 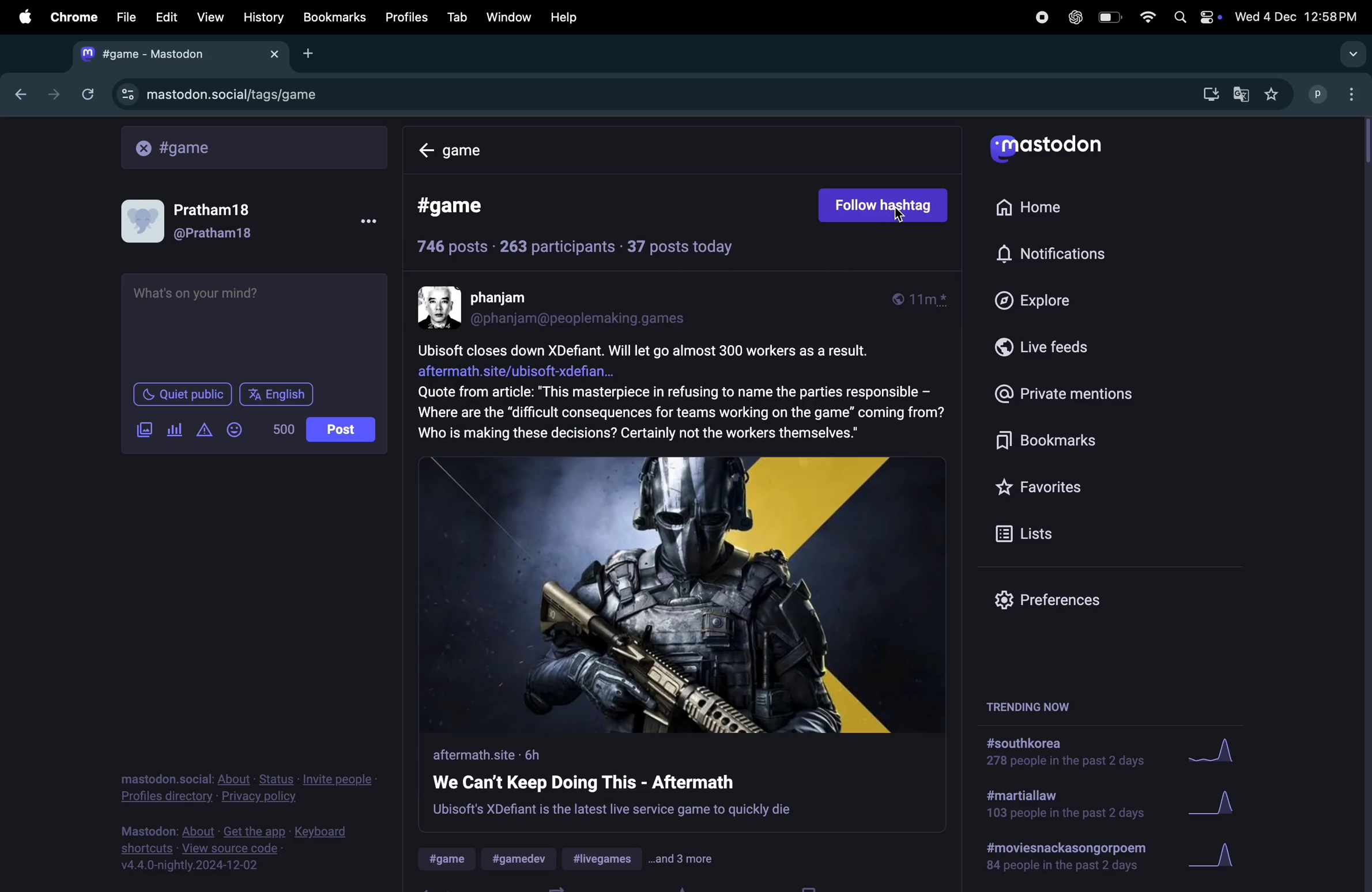 What do you see at coordinates (363, 222) in the screenshot?
I see `options` at bounding box center [363, 222].